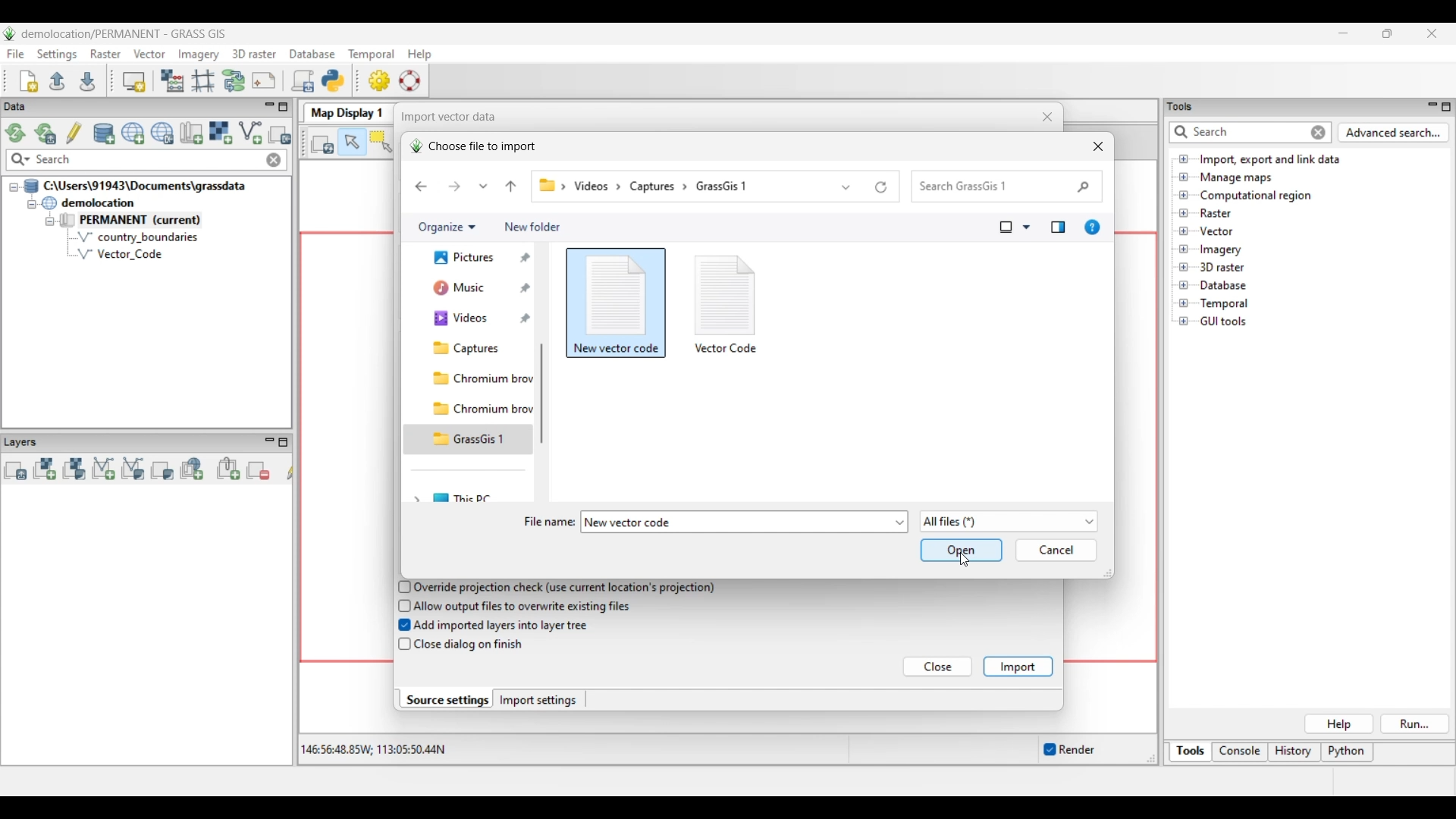 Image resolution: width=1456 pixels, height=819 pixels. I want to click on Home folder, so click(470, 259).